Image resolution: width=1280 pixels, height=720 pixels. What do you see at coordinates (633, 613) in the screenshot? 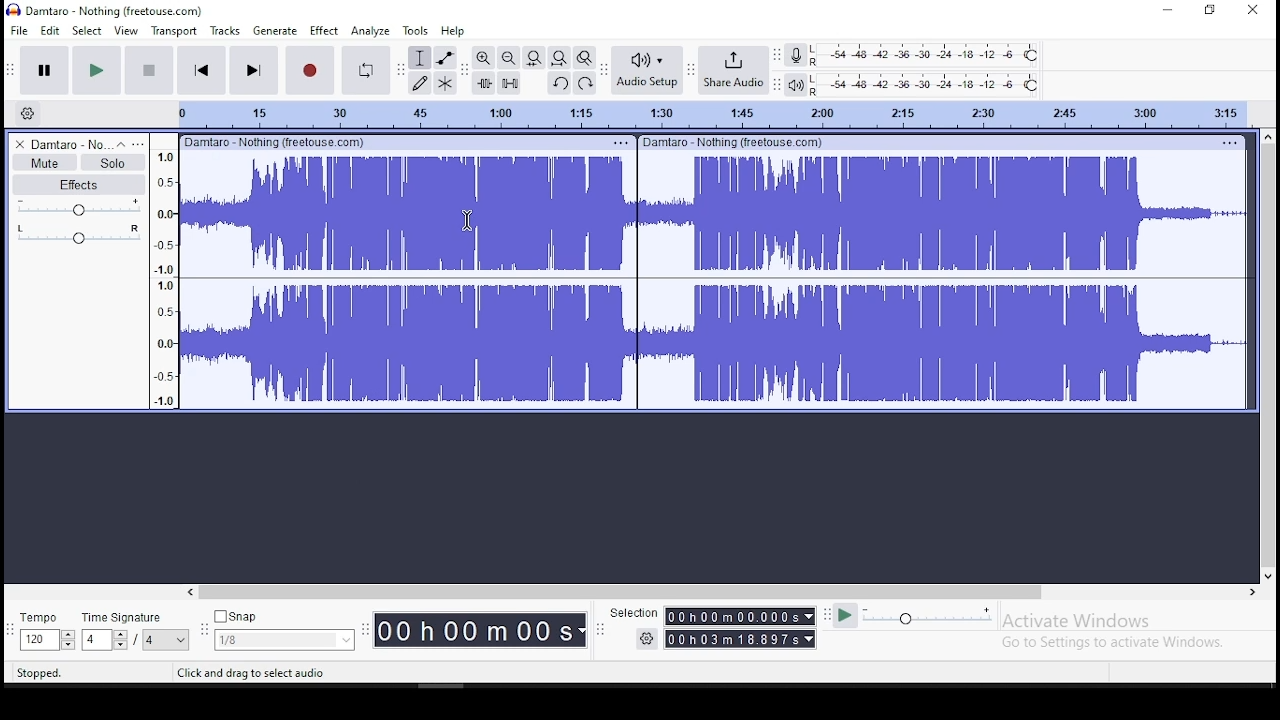
I see `selection` at bounding box center [633, 613].